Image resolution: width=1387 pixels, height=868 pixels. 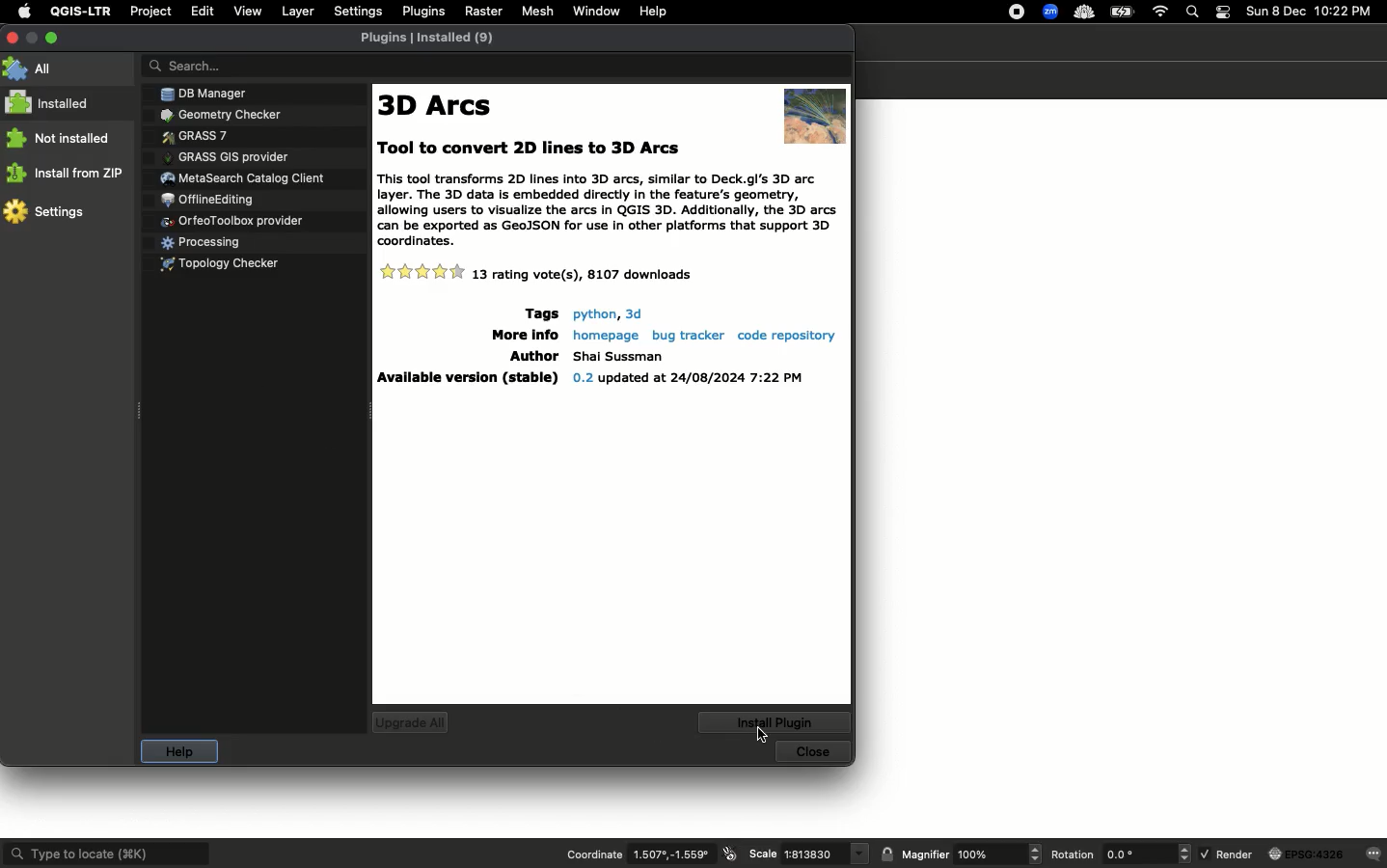 I want to click on messages, so click(x=1374, y=853).